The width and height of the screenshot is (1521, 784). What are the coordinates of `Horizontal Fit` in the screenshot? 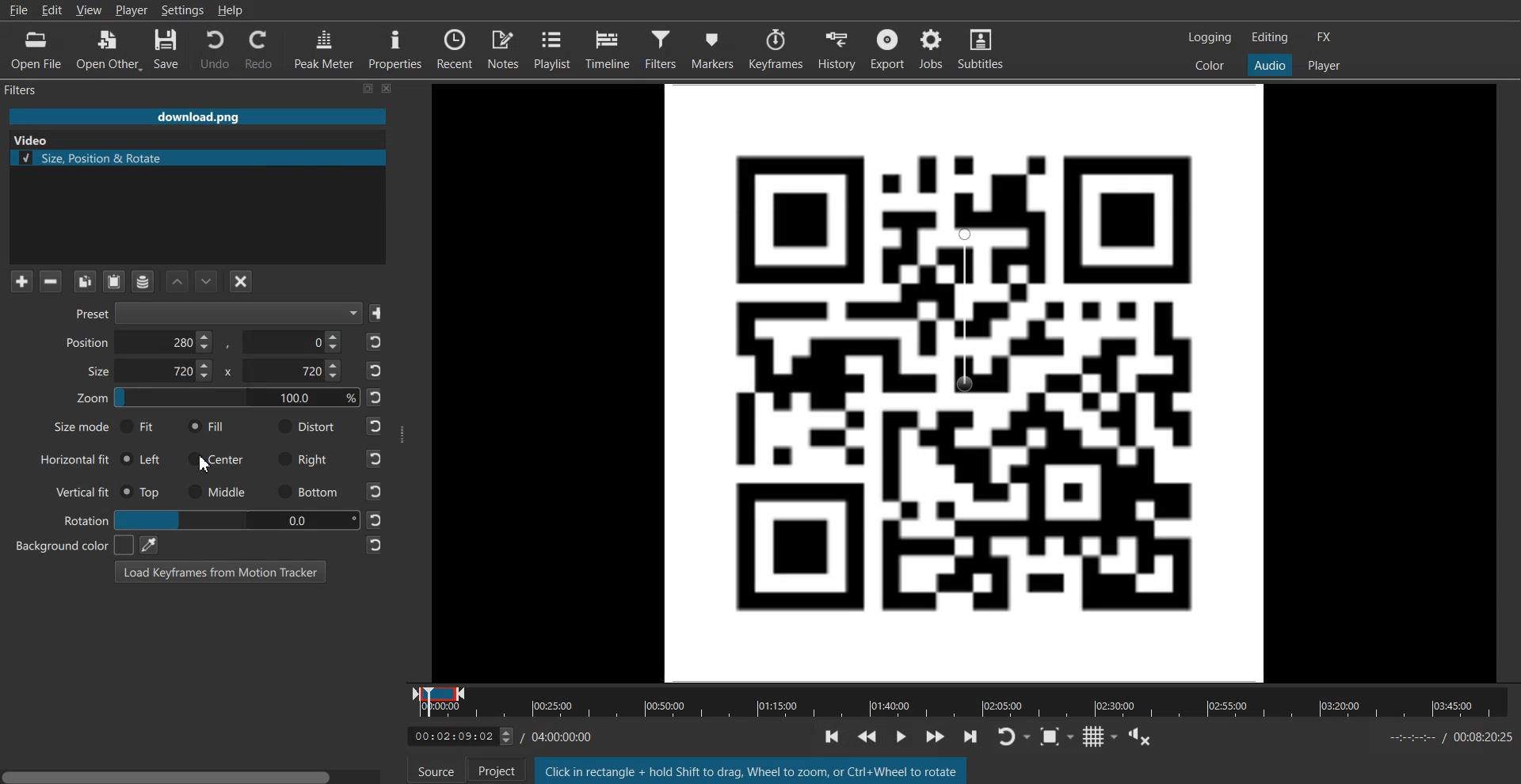 It's located at (74, 460).